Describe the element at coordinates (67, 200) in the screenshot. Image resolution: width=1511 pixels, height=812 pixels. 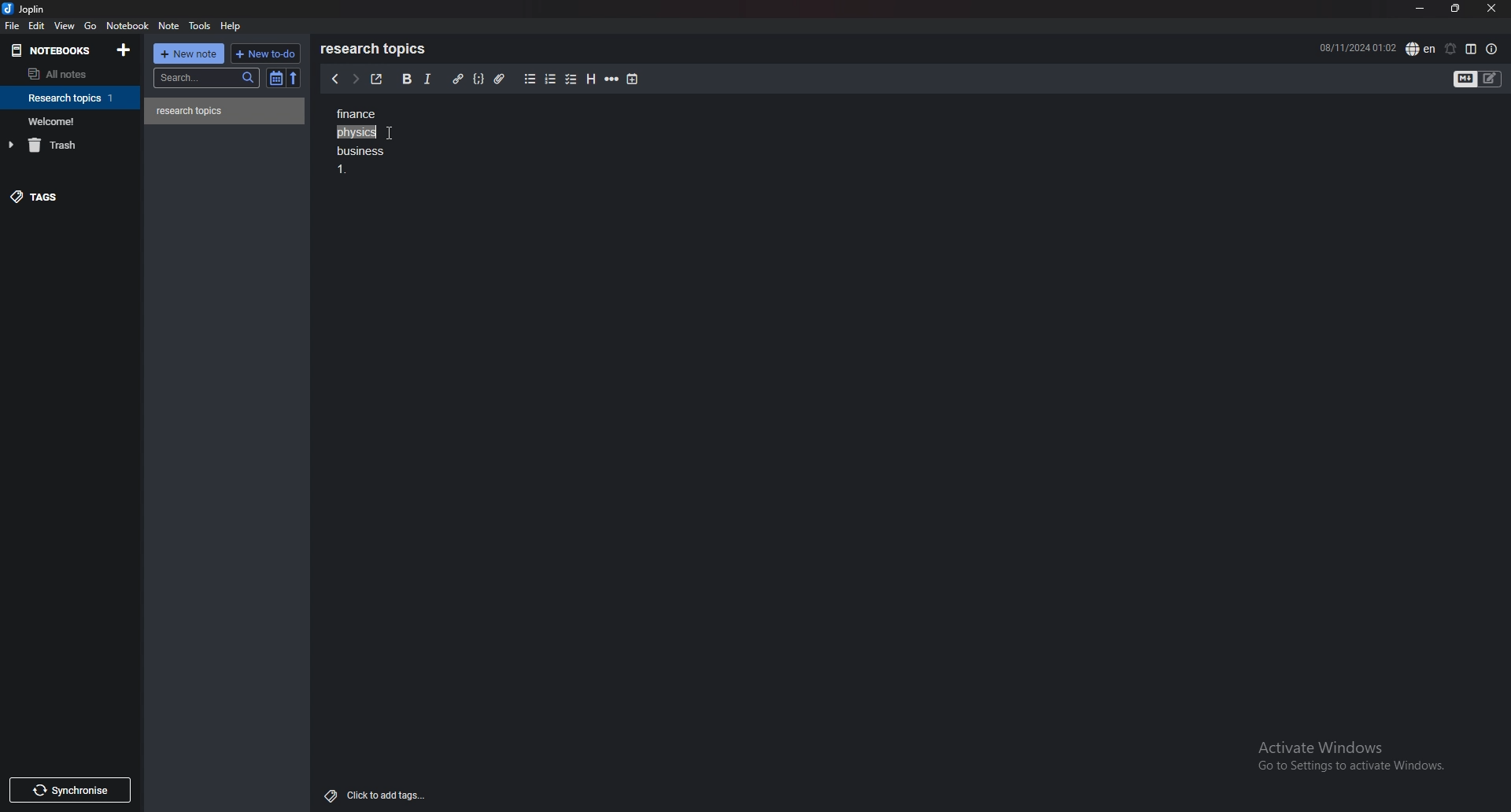
I see `tags` at that location.